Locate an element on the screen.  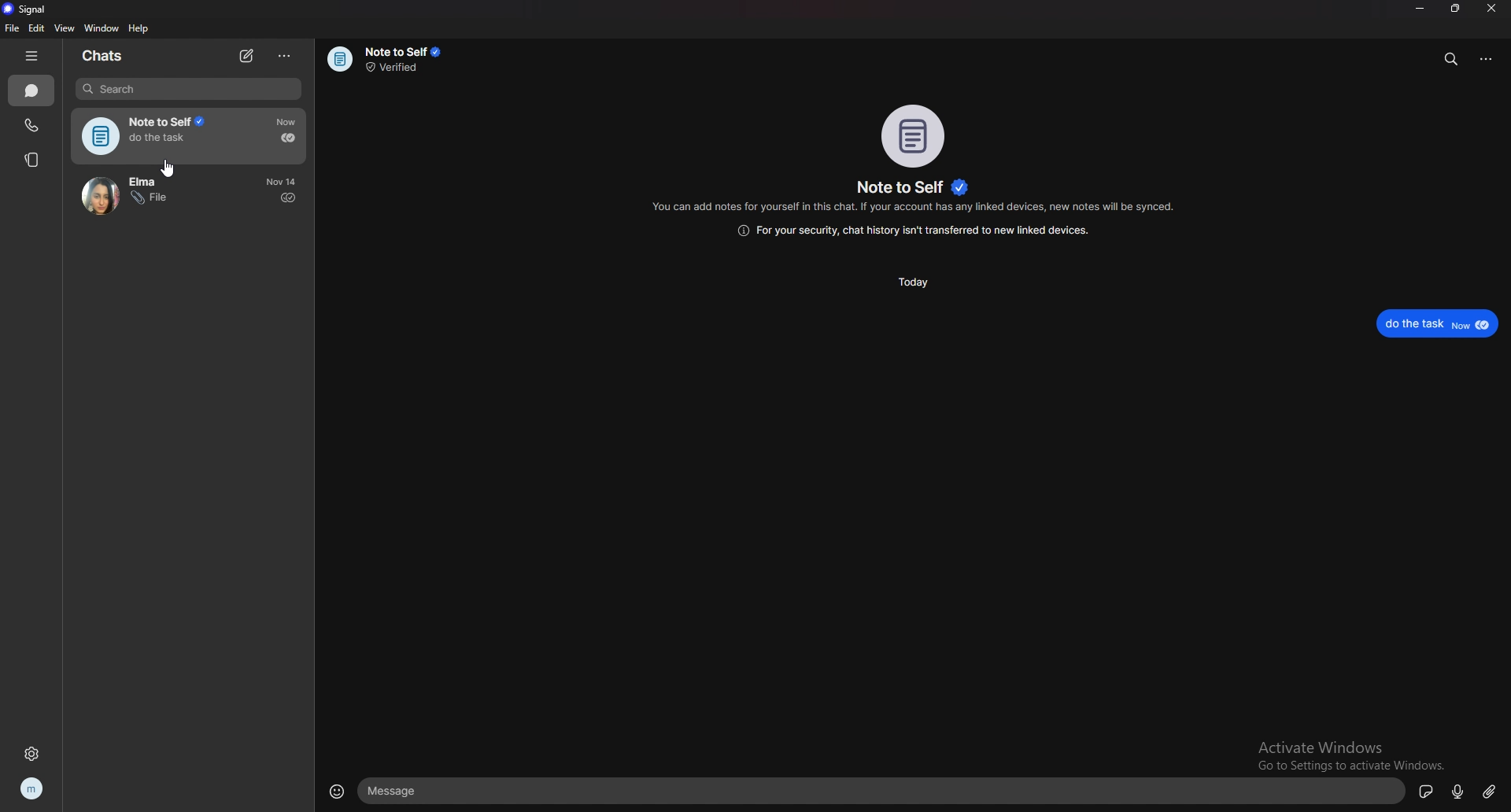
text compose is located at coordinates (881, 791).